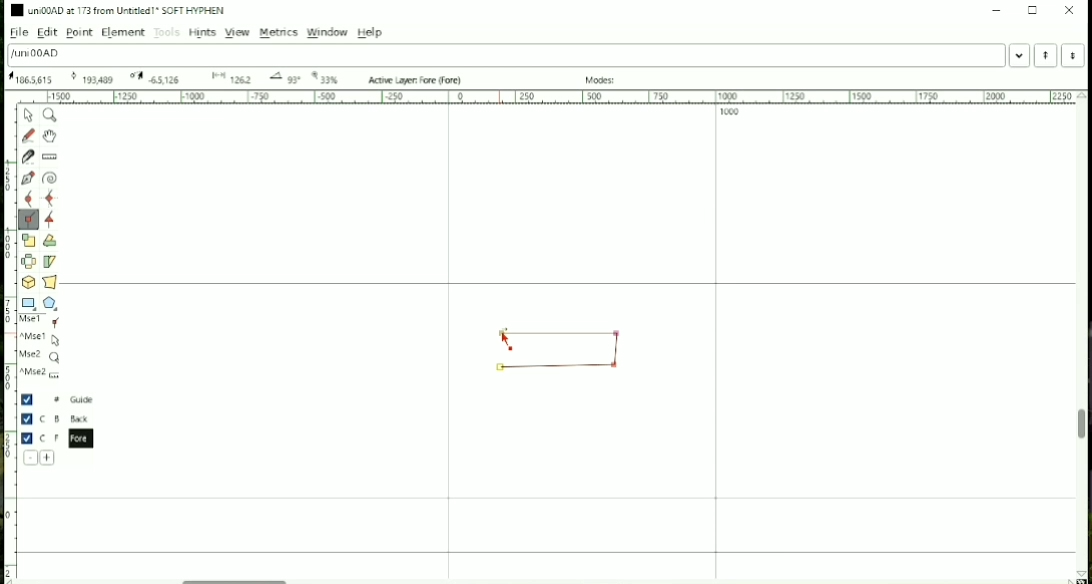 This screenshot has width=1092, height=584. I want to click on Magnify, so click(51, 115).